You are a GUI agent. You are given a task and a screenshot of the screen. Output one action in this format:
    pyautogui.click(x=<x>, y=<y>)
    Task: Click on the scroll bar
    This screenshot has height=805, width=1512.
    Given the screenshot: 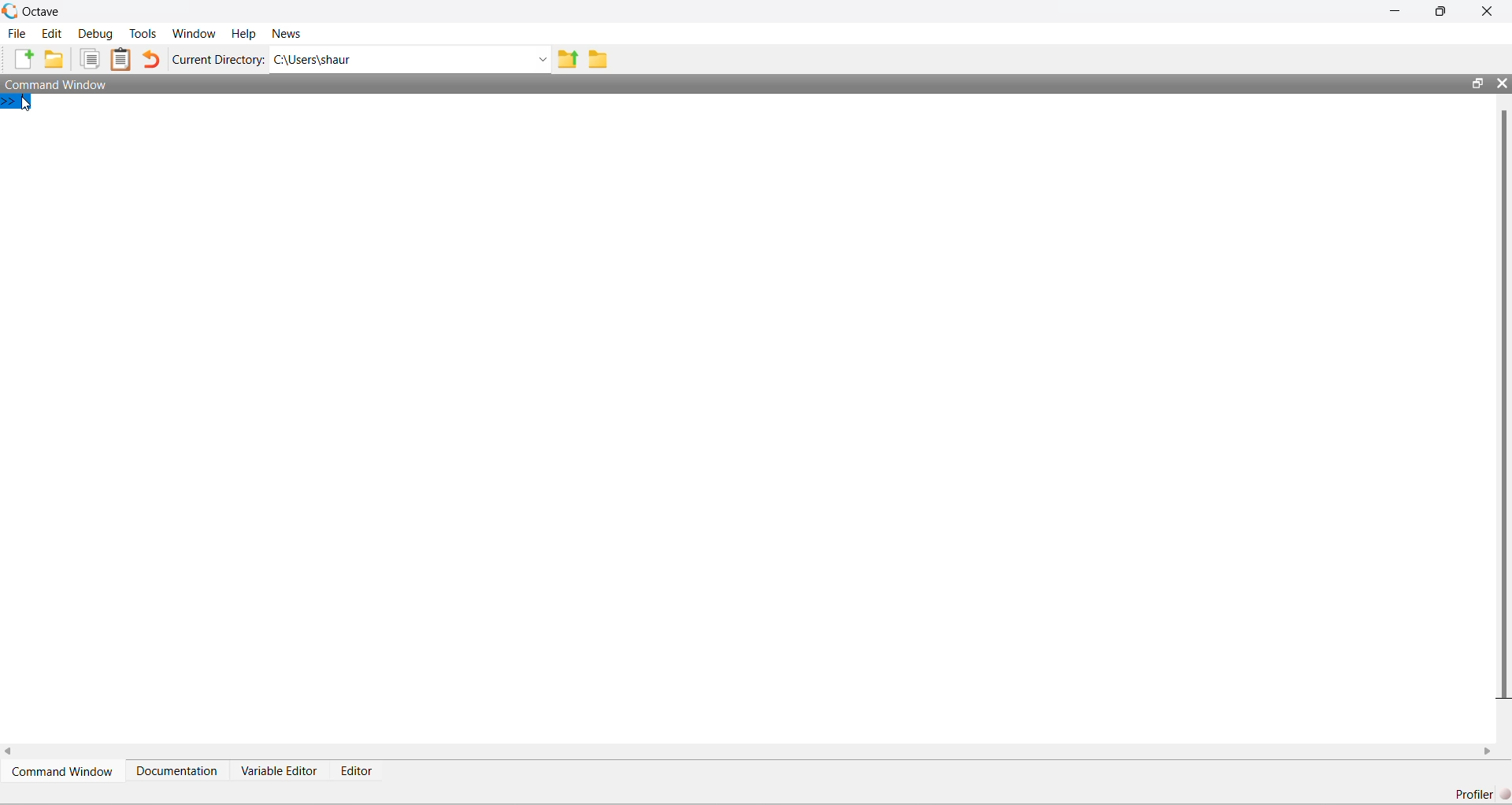 What is the action you would take?
    pyautogui.click(x=1504, y=406)
    